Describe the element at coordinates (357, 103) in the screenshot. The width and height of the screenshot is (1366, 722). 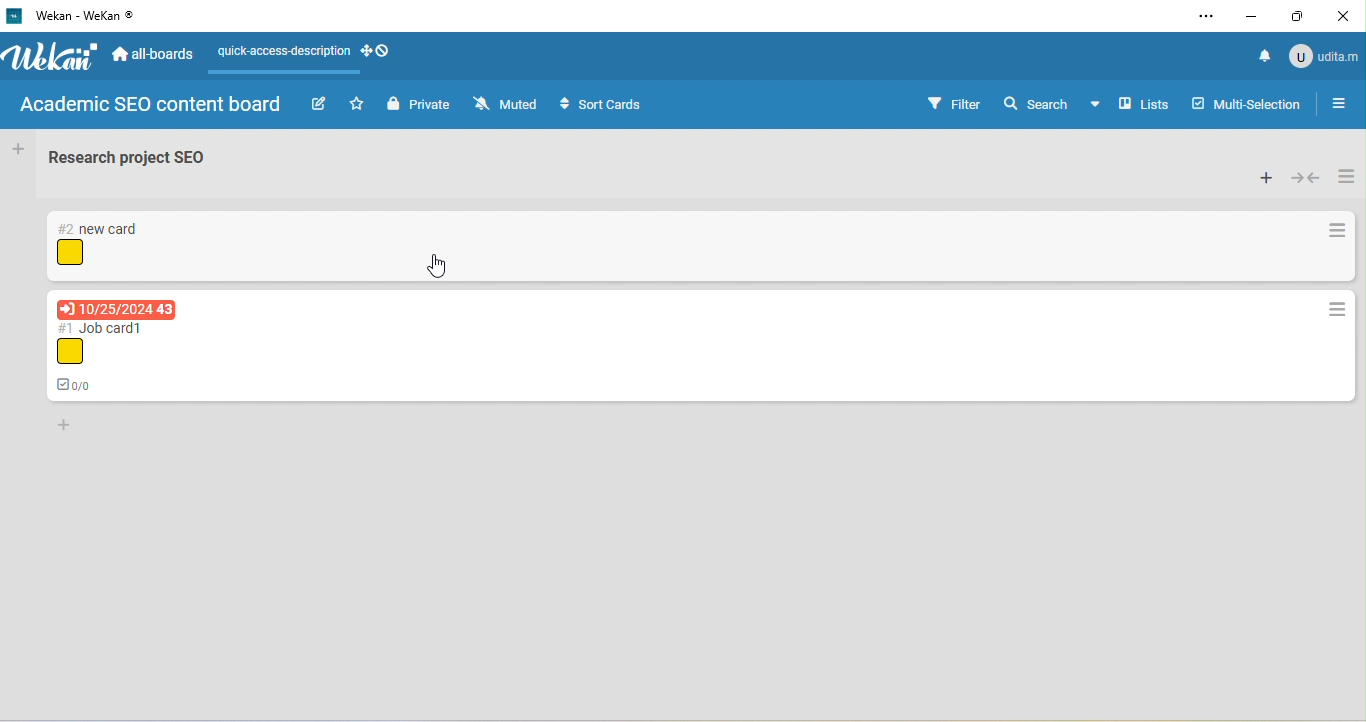
I see `star this board` at that location.